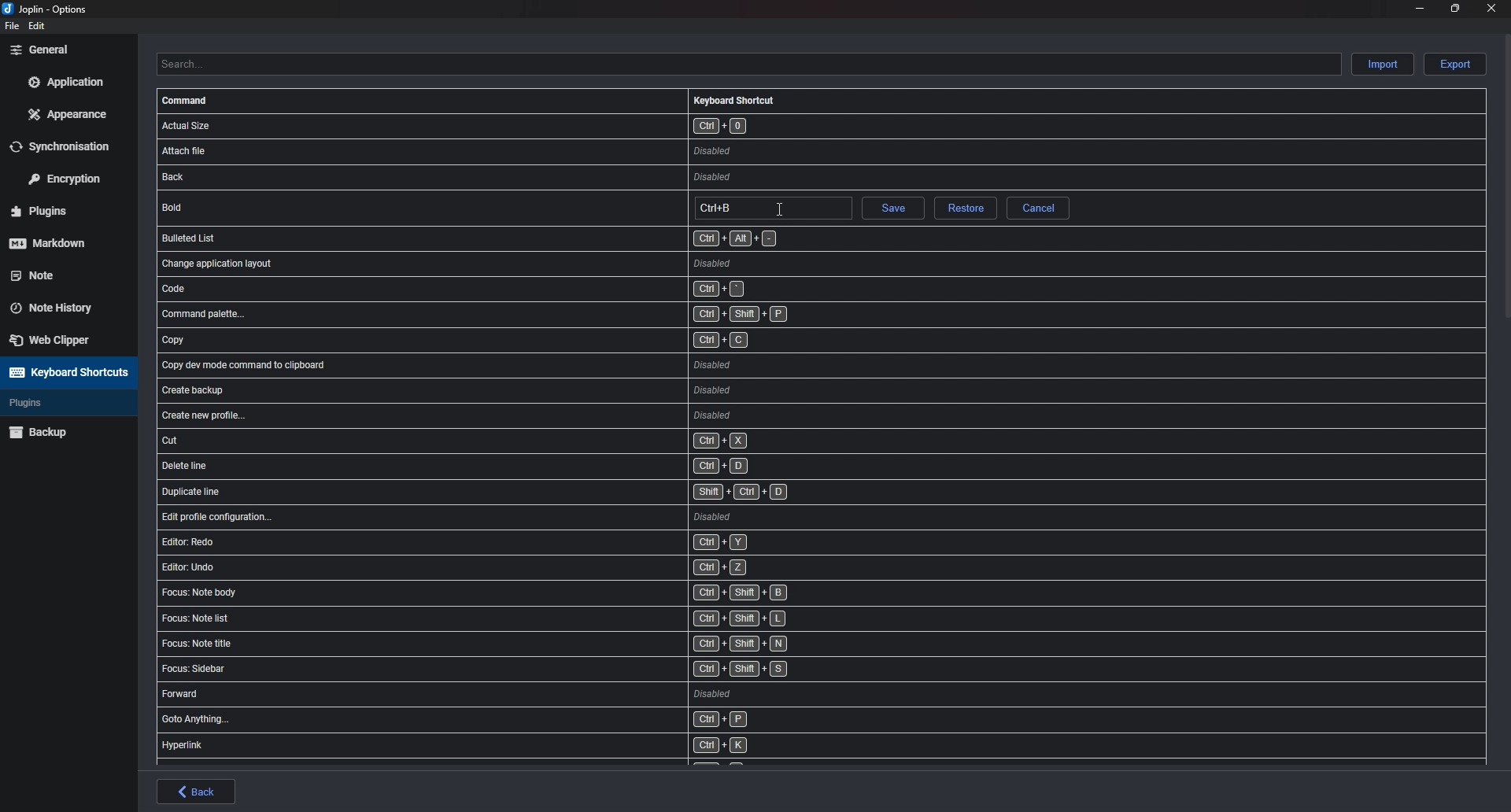 This screenshot has width=1511, height=812. I want to click on edit, so click(38, 26).